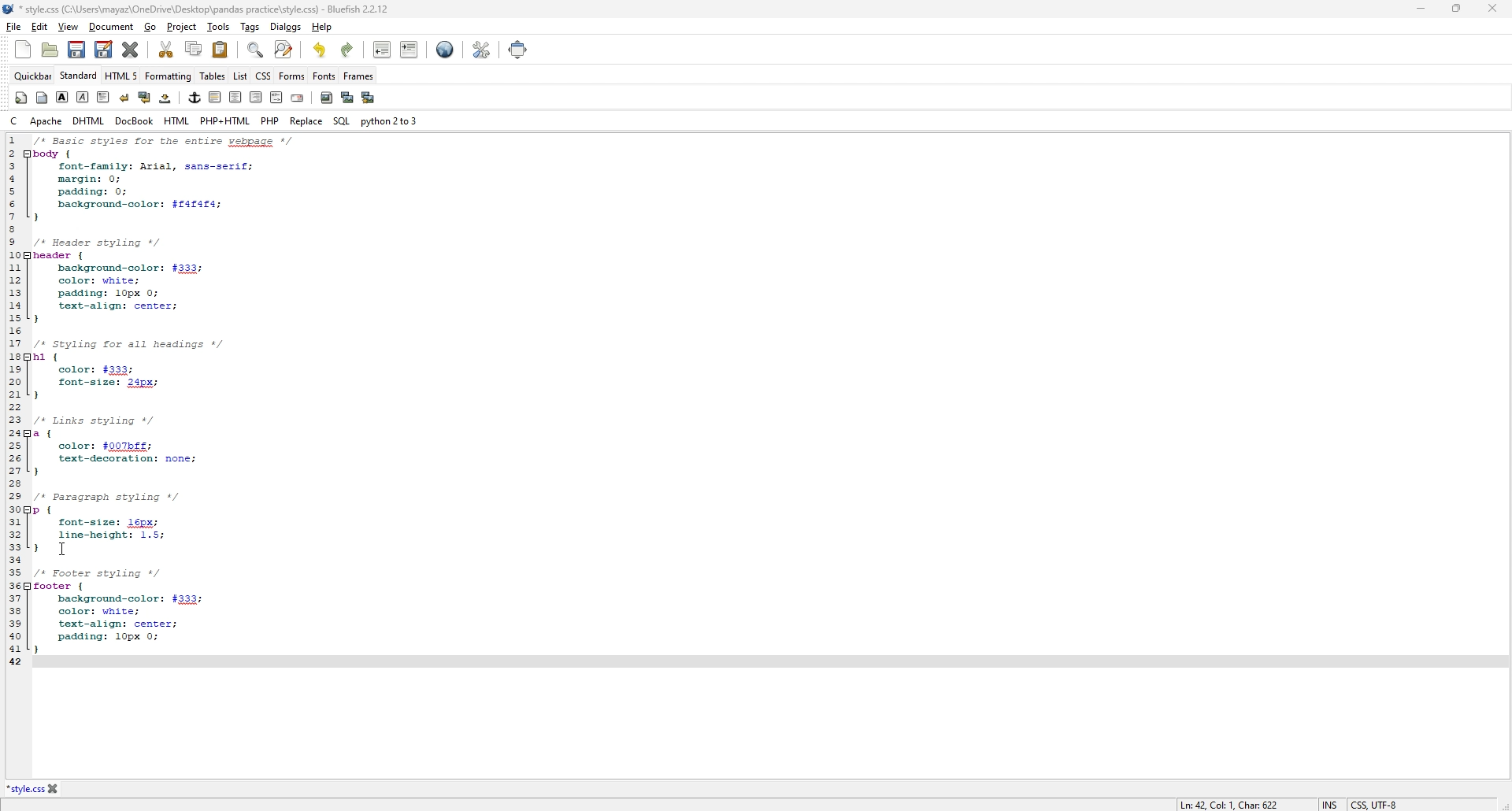 The width and height of the screenshot is (1512, 811). I want to click on Ln: 42, Col: 1, Char: 622, so click(1231, 805).